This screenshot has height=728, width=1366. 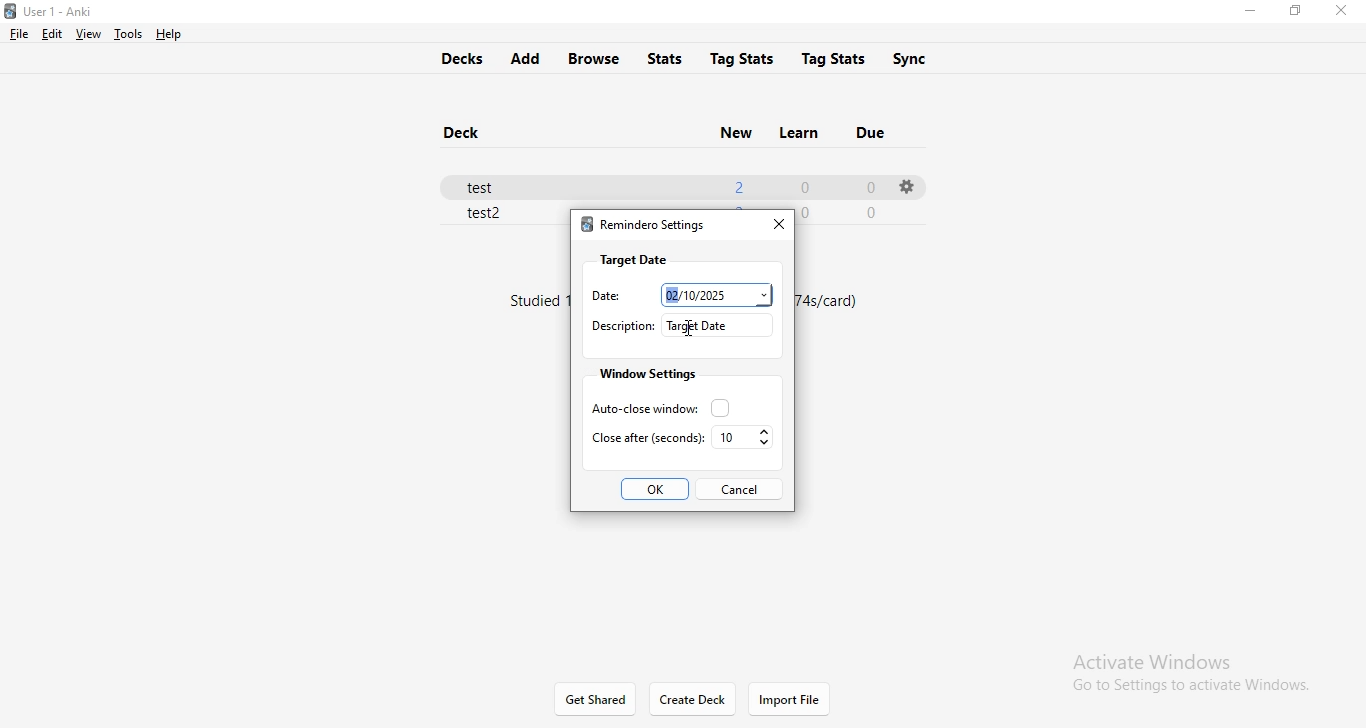 What do you see at coordinates (869, 188) in the screenshot?
I see `0` at bounding box center [869, 188].